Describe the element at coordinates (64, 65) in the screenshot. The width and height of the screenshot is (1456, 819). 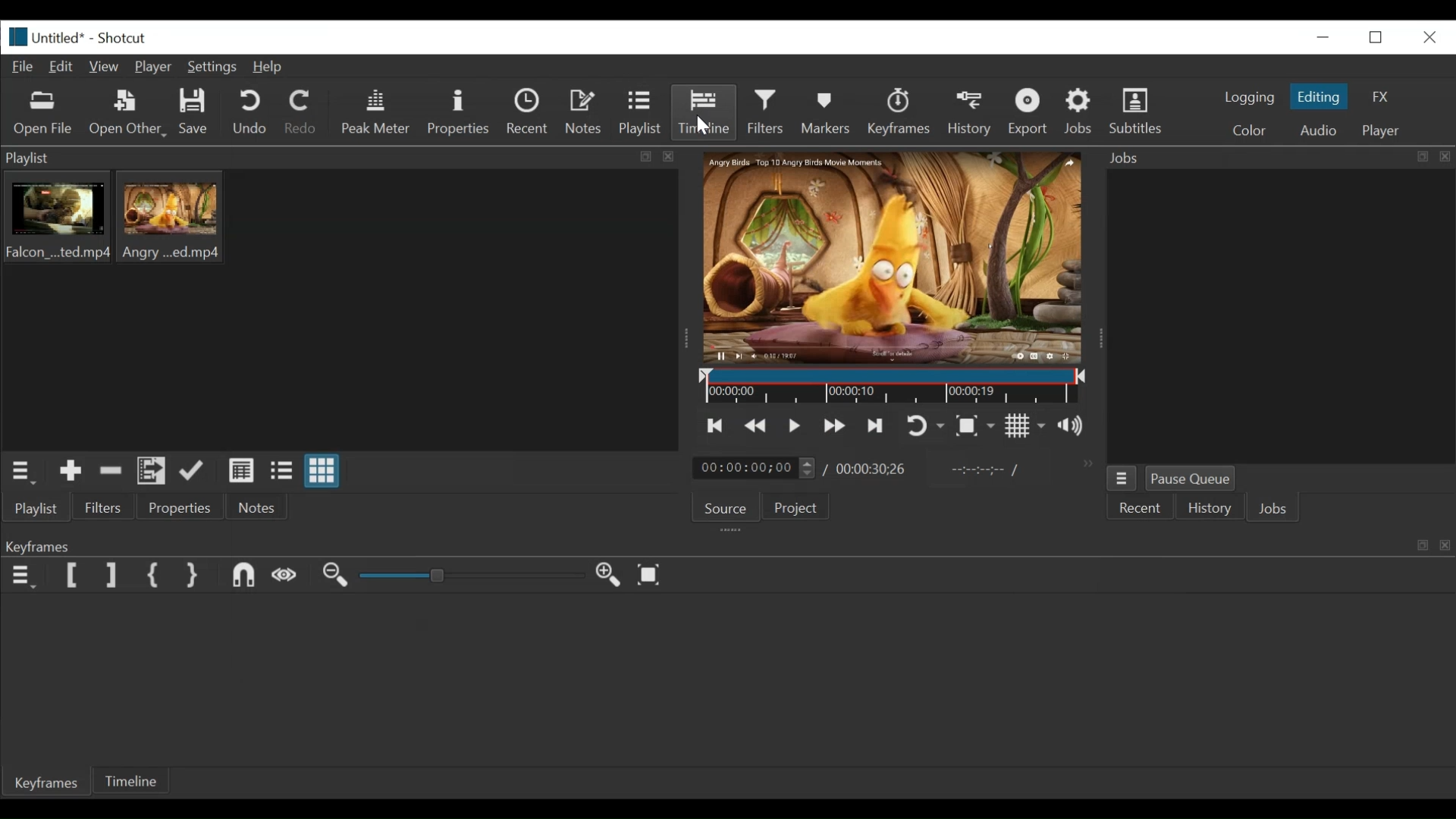
I see `Edit` at that location.